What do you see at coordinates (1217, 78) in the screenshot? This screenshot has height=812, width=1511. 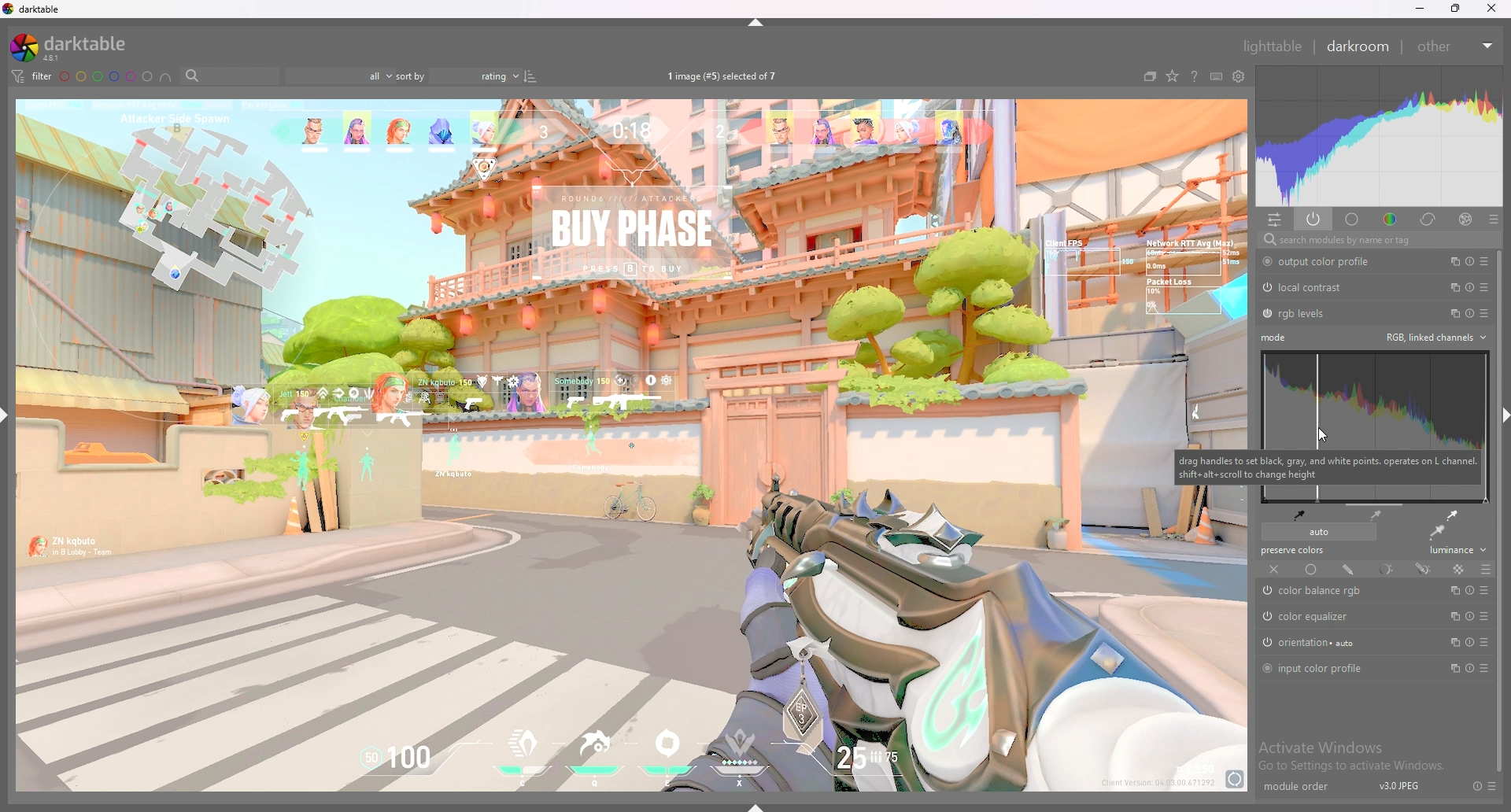 I see `keyboard shortcuts` at bounding box center [1217, 78].